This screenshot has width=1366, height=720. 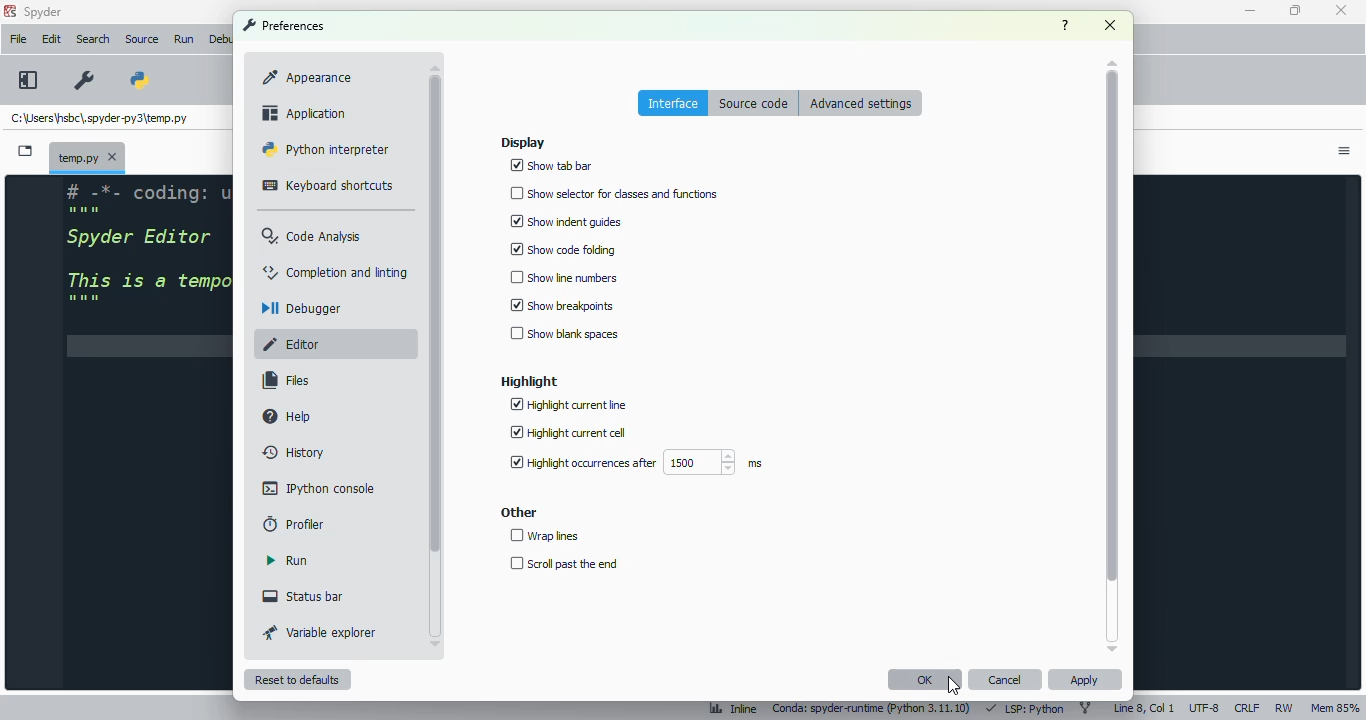 I want to click on temporary file, so click(x=88, y=156).